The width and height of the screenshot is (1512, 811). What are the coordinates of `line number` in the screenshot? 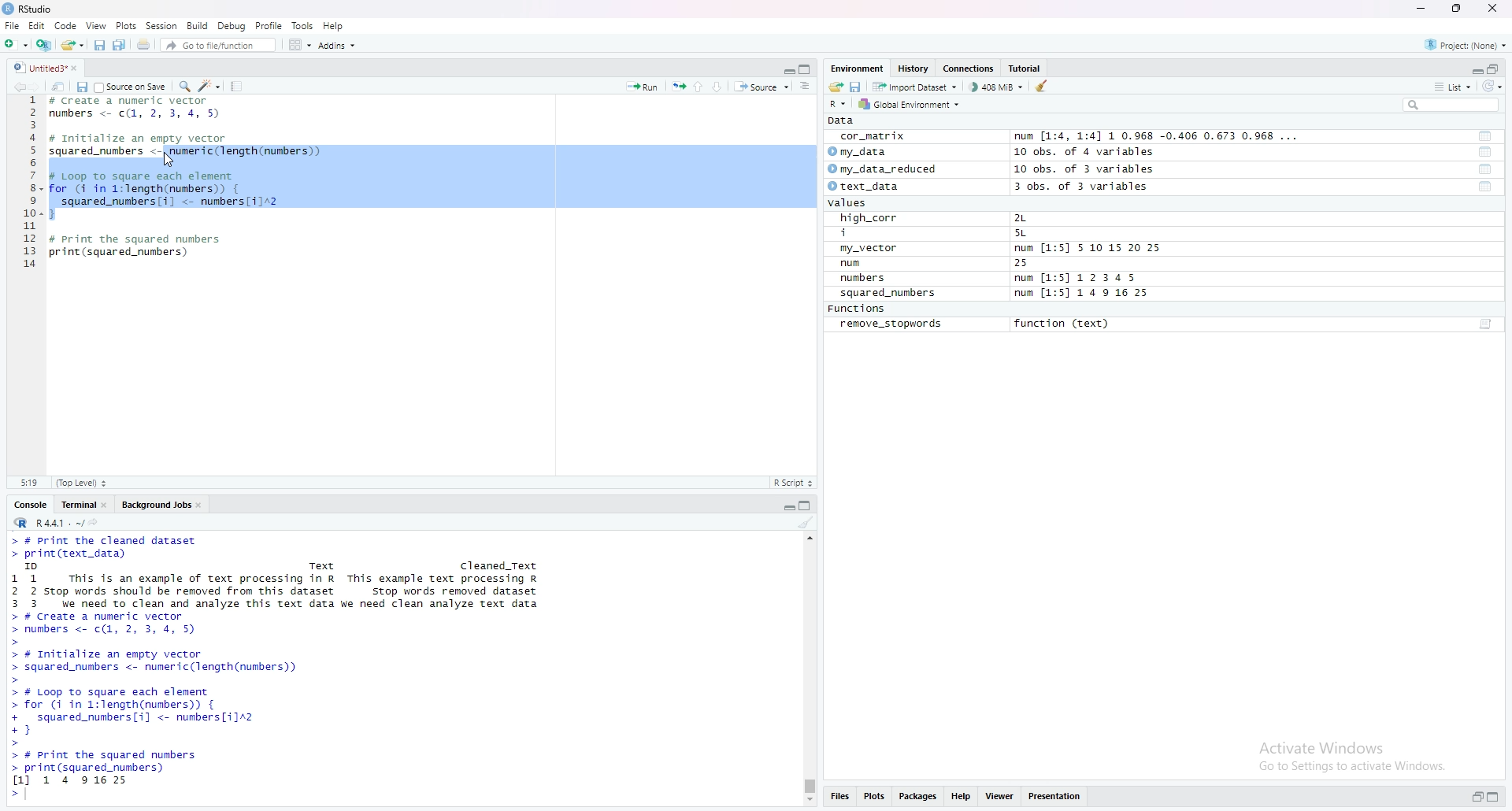 It's located at (31, 187).